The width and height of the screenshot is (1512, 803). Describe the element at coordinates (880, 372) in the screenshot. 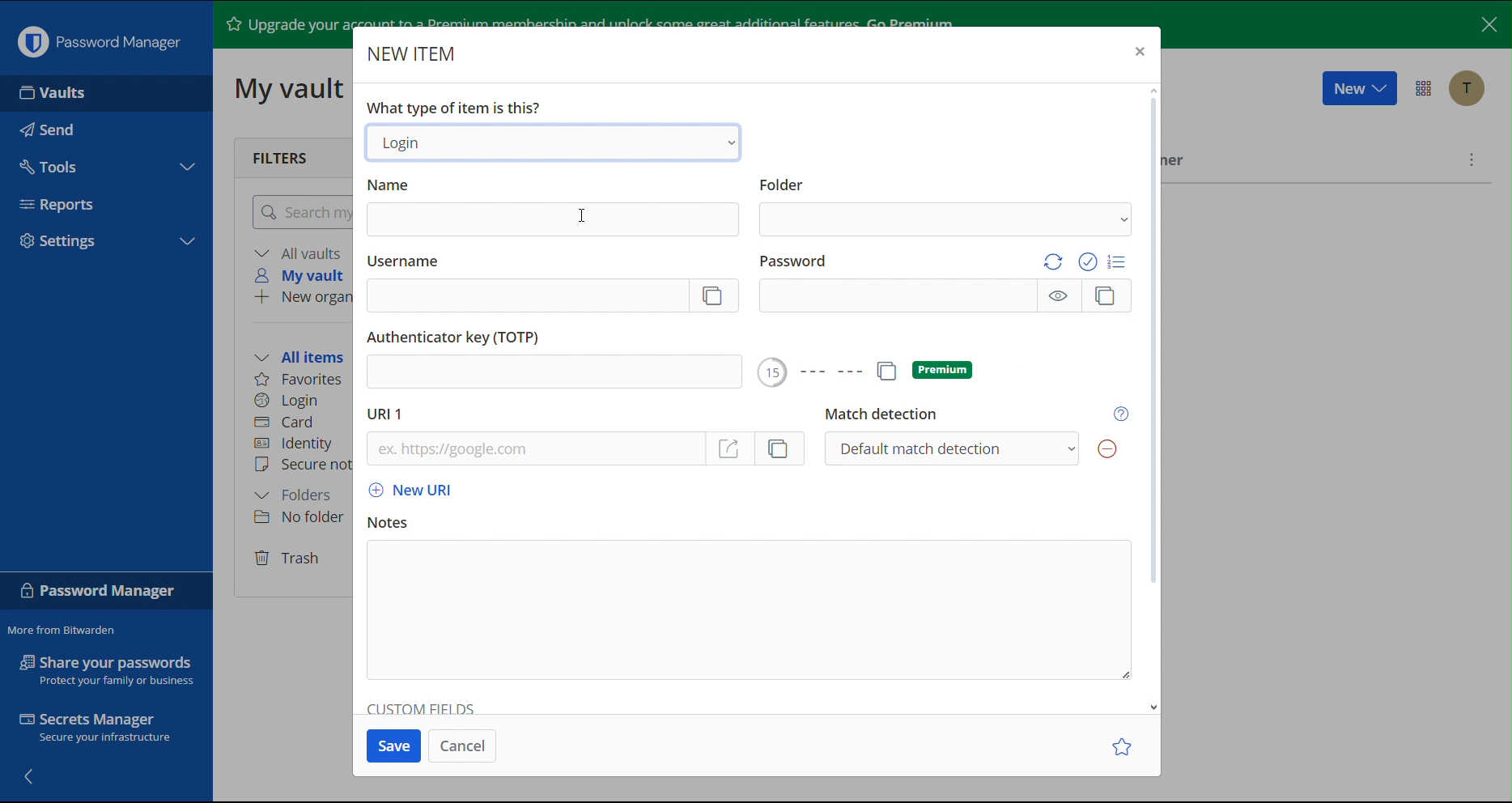

I see `Premium Options` at that location.